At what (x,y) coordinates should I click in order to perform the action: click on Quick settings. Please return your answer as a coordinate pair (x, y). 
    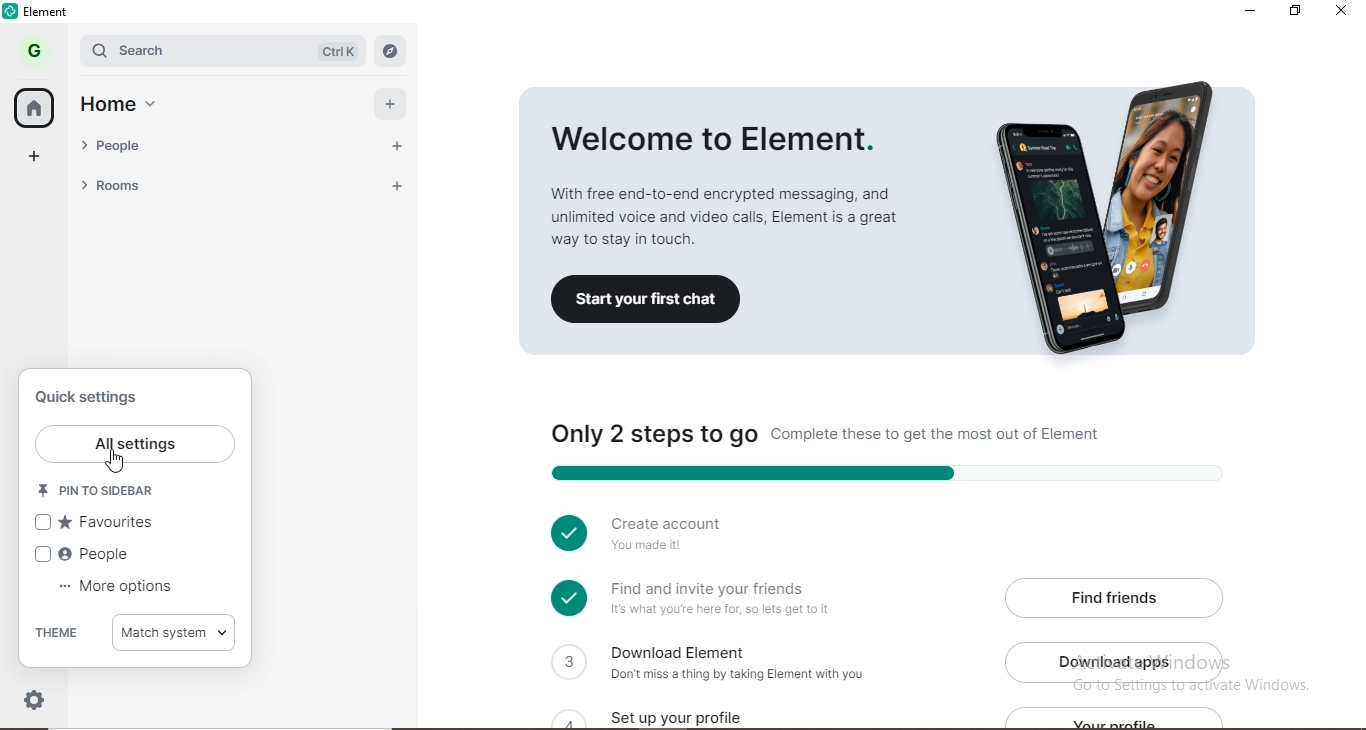
    Looking at the image, I should click on (91, 400).